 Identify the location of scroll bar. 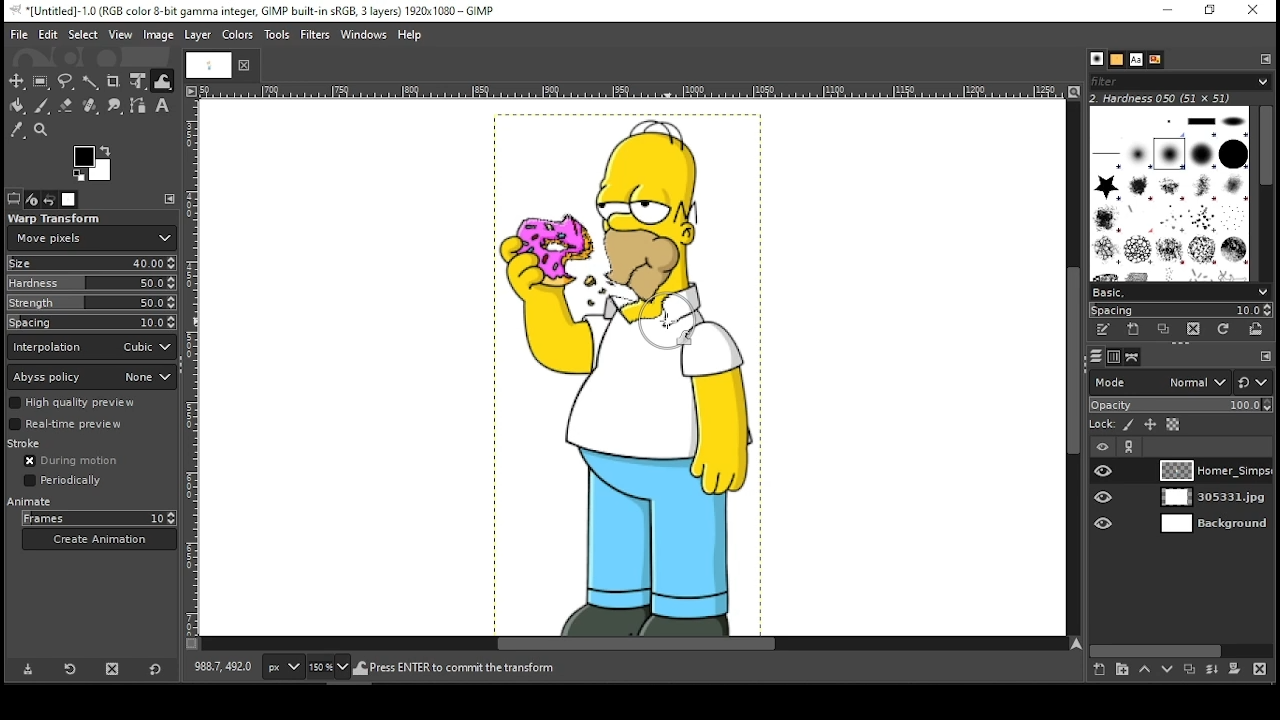
(636, 644).